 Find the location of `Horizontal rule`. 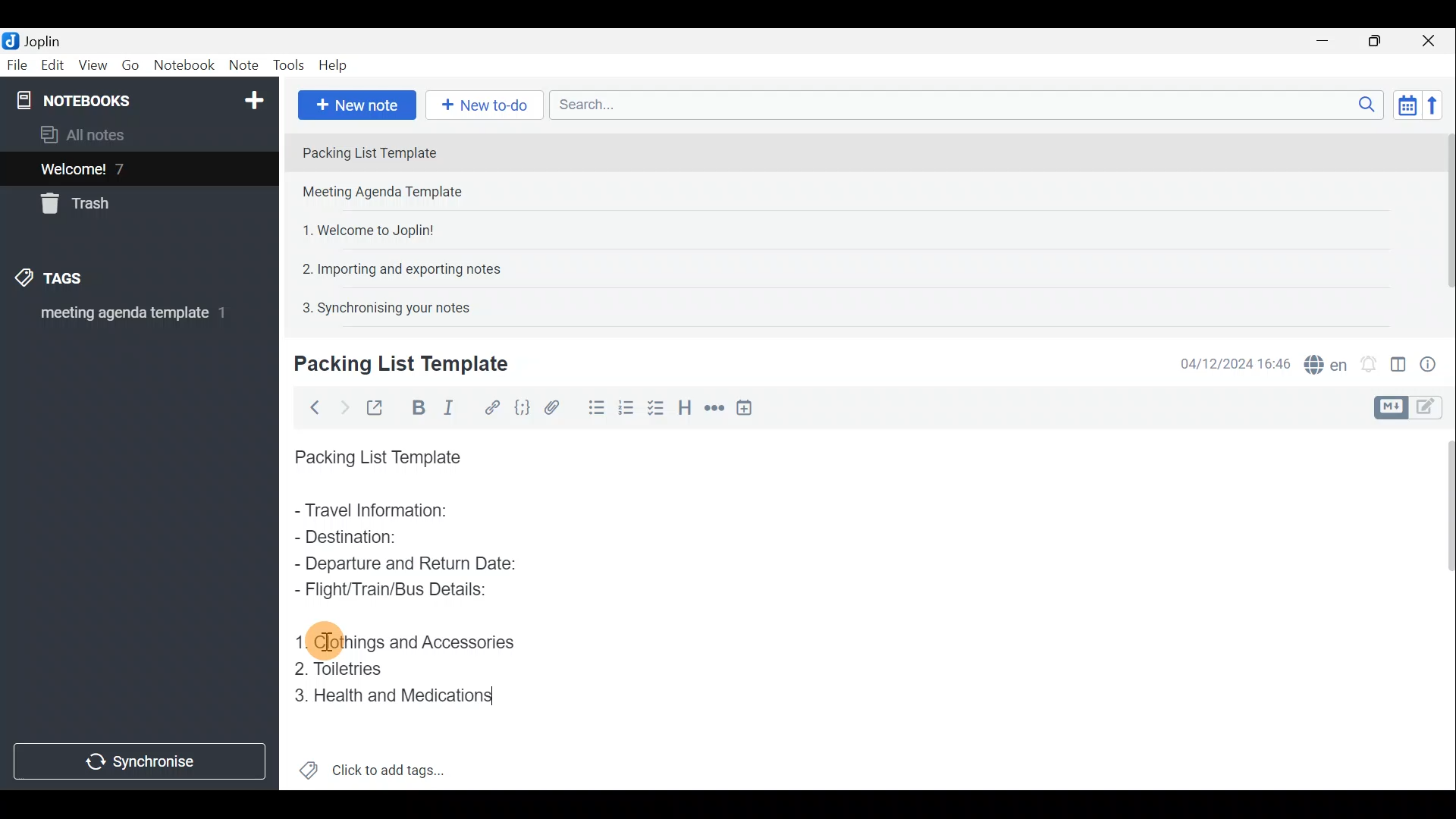

Horizontal rule is located at coordinates (712, 408).